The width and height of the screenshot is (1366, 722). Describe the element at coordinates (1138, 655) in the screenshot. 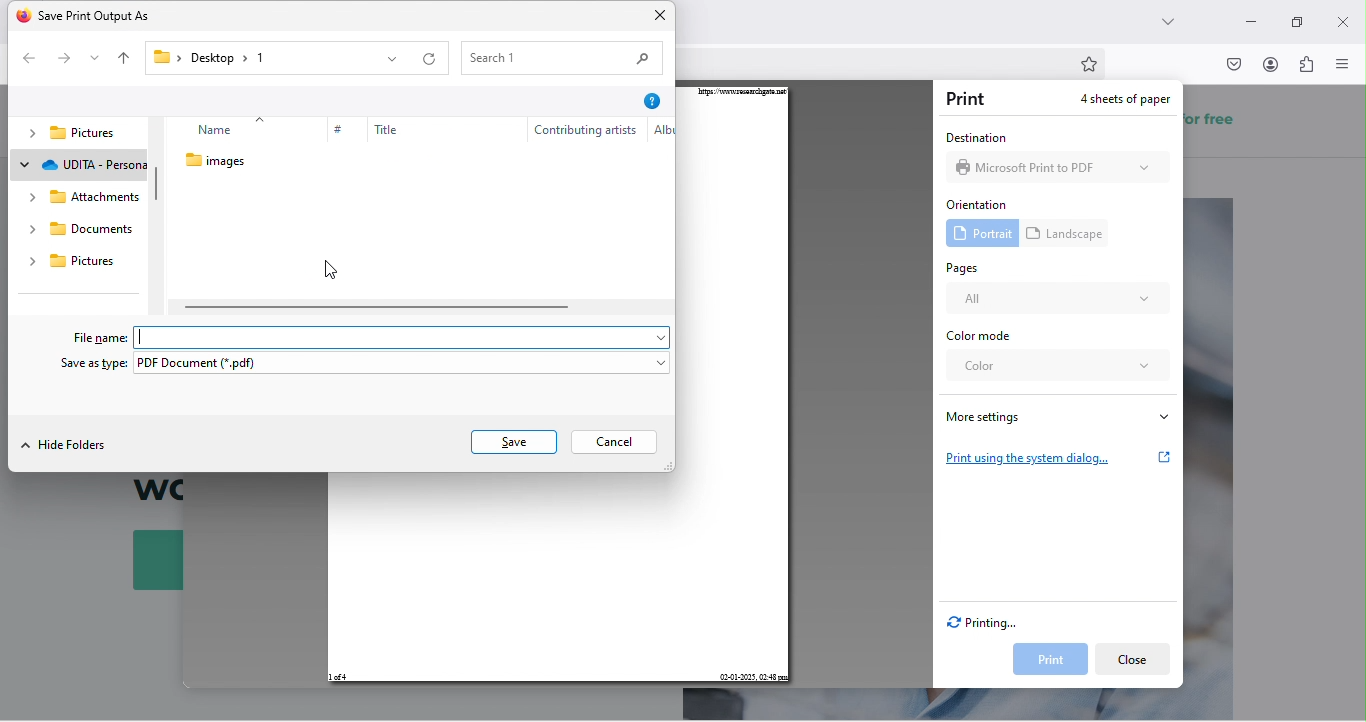

I see `close` at that location.